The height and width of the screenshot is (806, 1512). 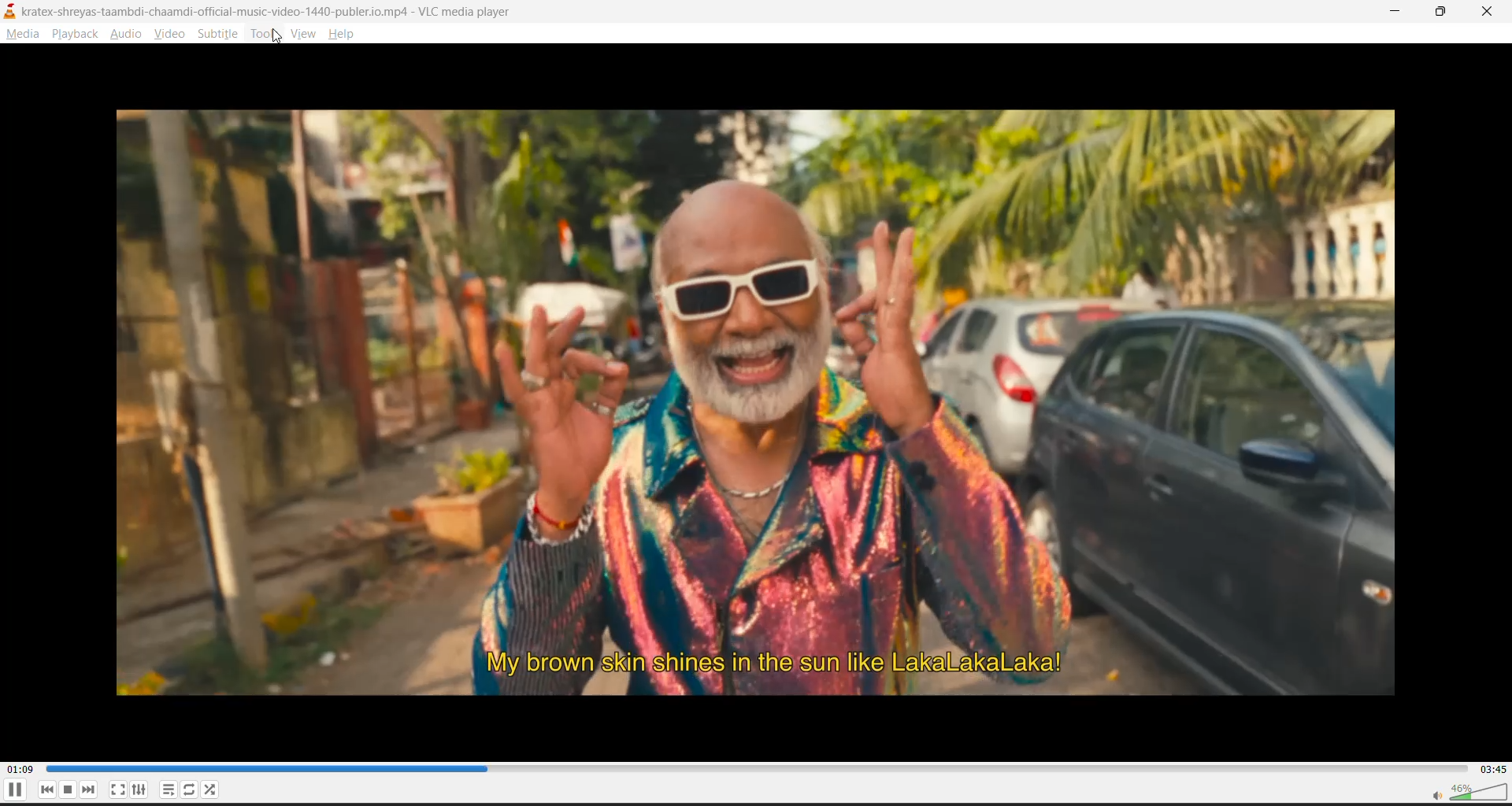 What do you see at coordinates (130, 35) in the screenshot?
I see `audio` at bounding box center [130, 35].